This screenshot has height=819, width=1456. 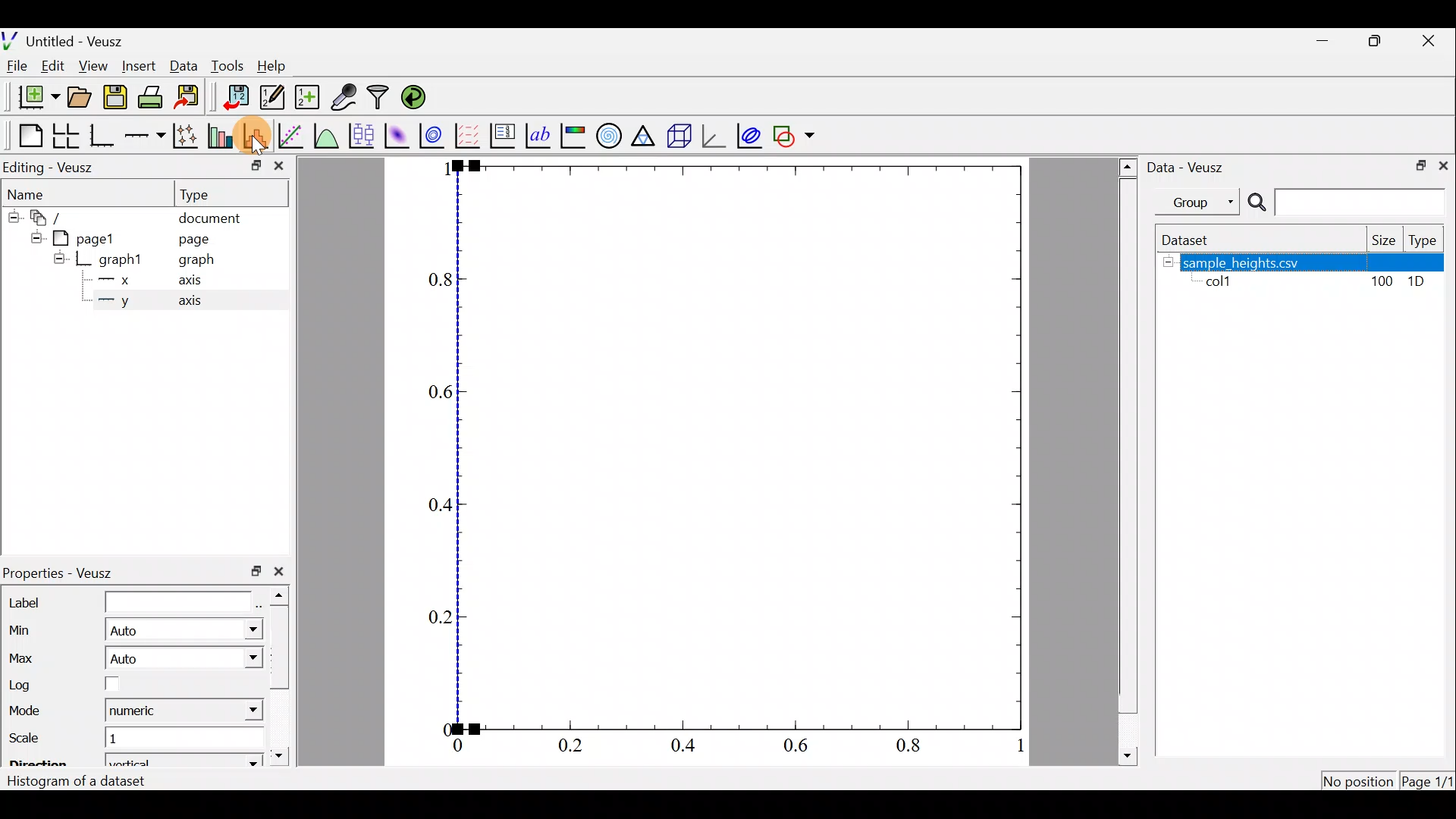 What do you see at coordinates (1373, 42) in the screenshot?
I see `restore down` at bounding box center [1373, 42].